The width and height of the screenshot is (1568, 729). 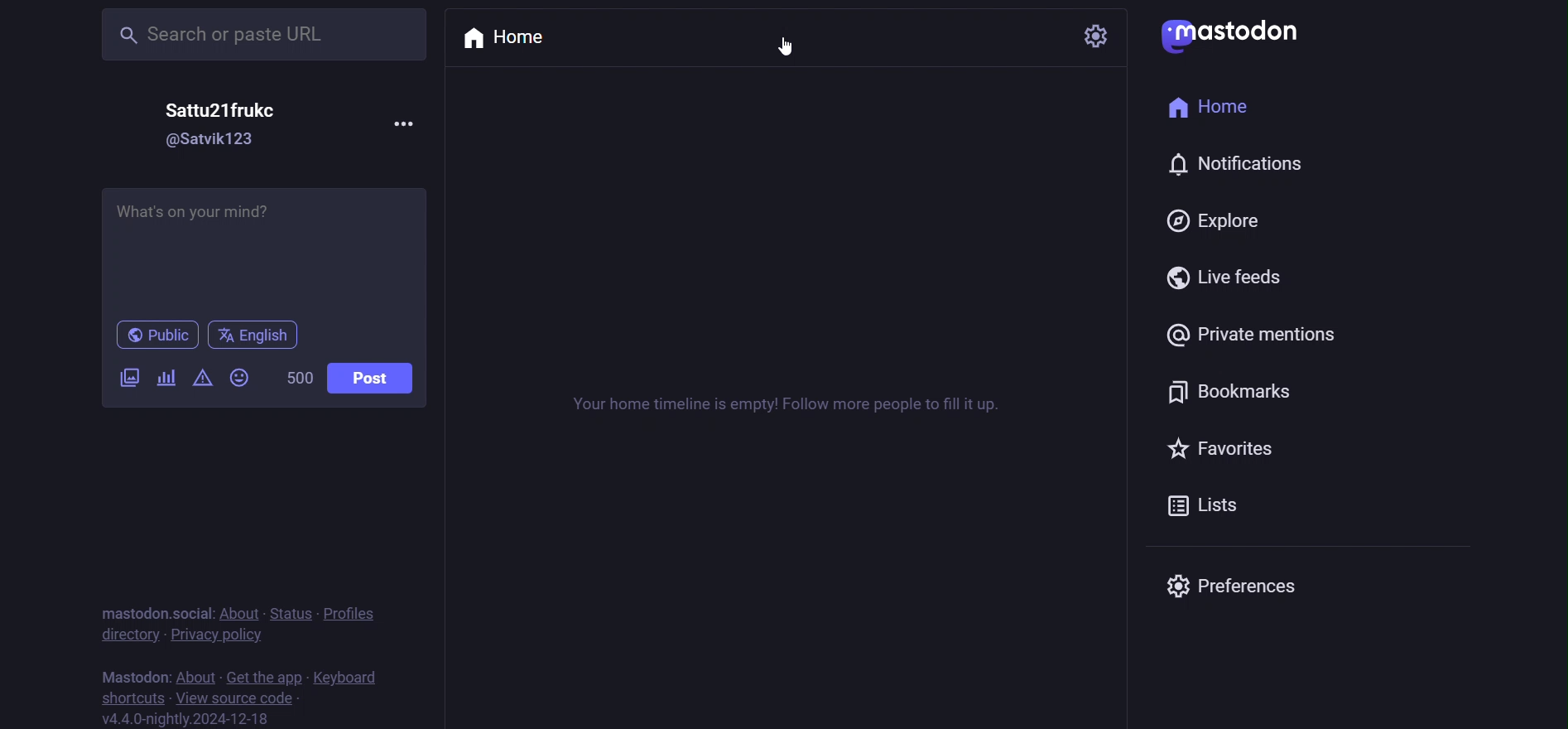 I want to click on about, so click(x=240, y=612).